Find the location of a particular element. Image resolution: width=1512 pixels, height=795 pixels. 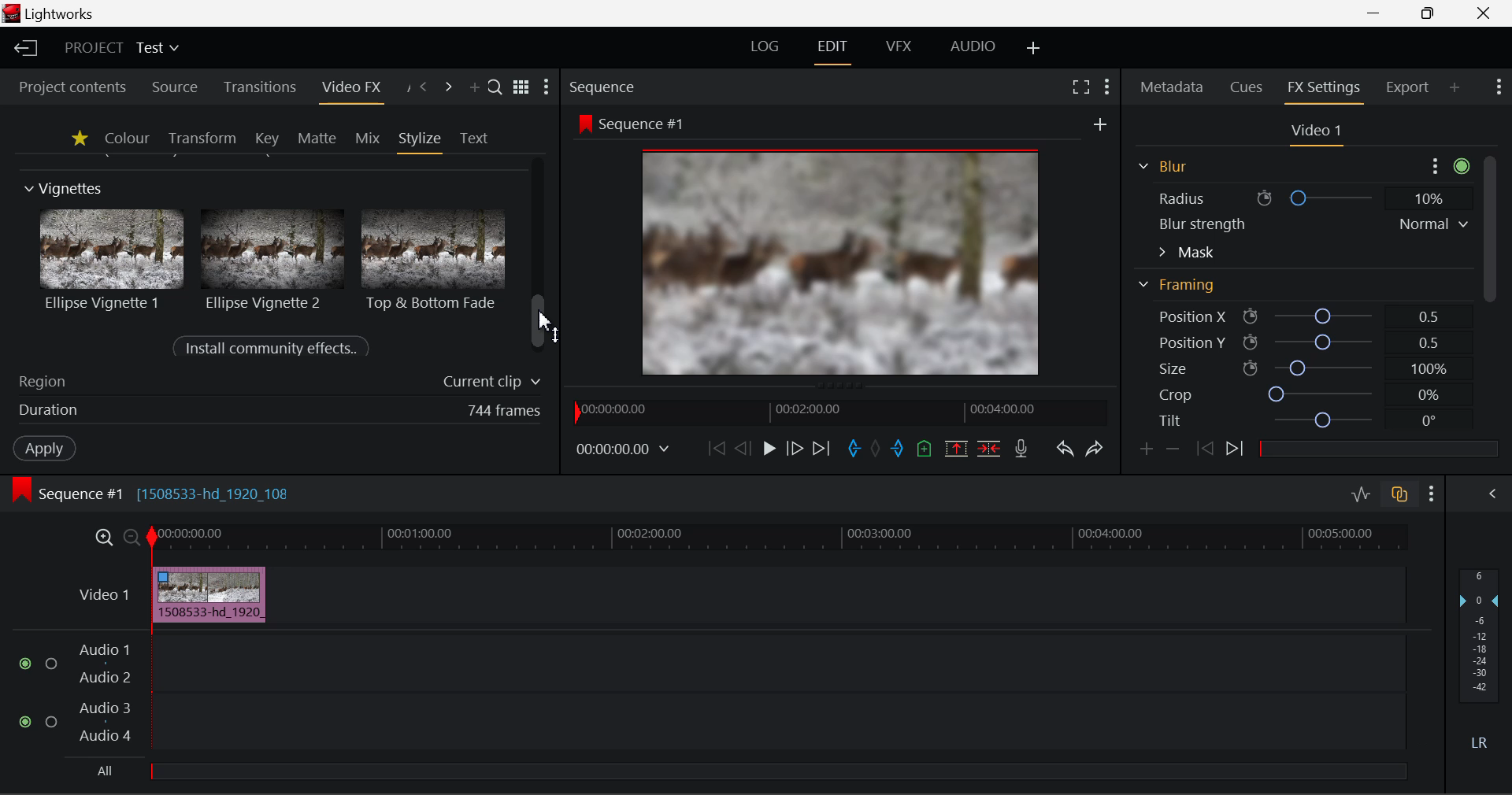

LOG Layout is located at coordinates (770, 48).